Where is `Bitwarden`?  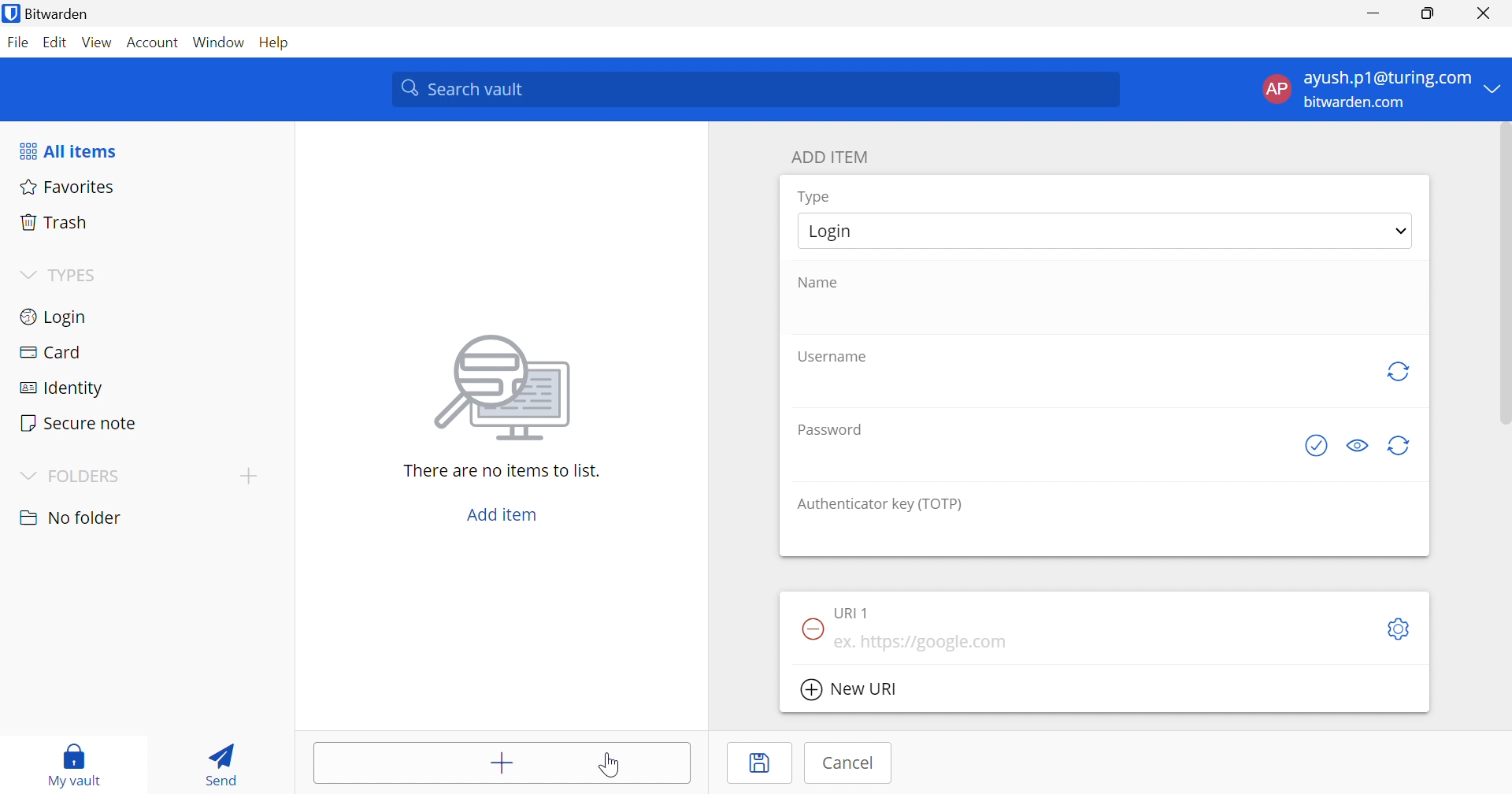 Bitwarden is located at coordinates (46, 13).